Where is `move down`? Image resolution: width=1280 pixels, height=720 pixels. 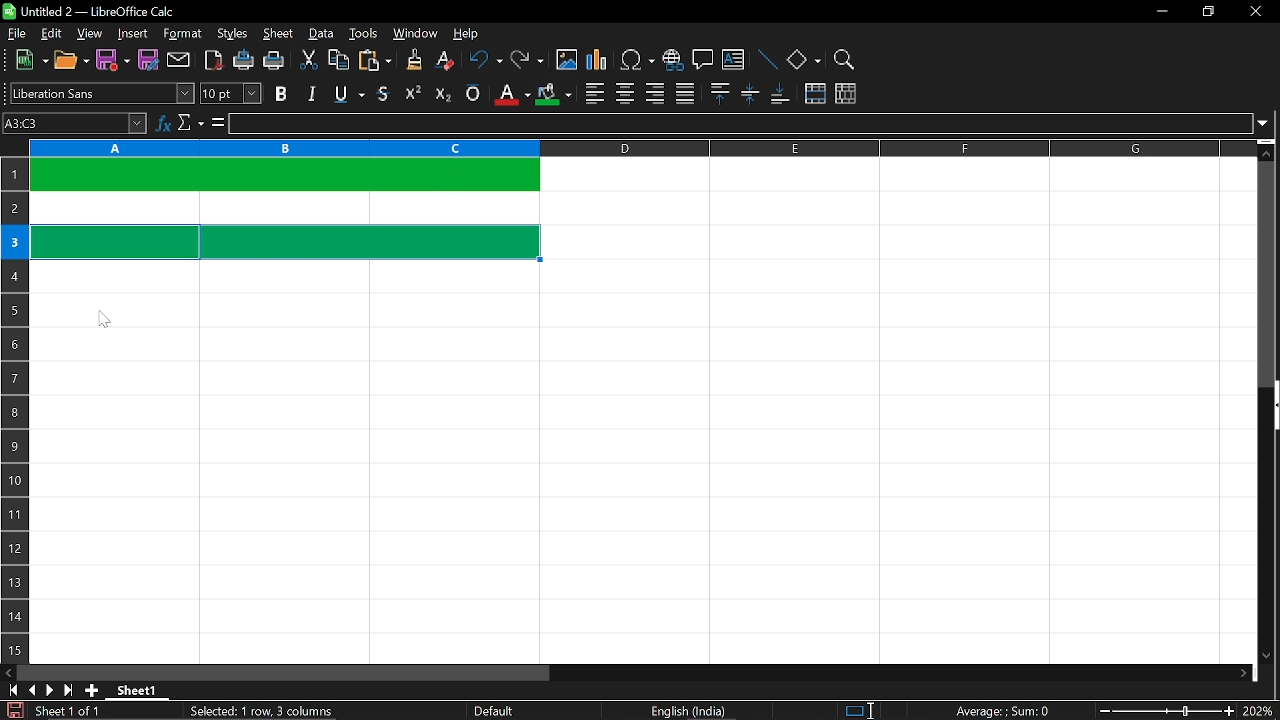 move down is located at coordinates (1270, 657).